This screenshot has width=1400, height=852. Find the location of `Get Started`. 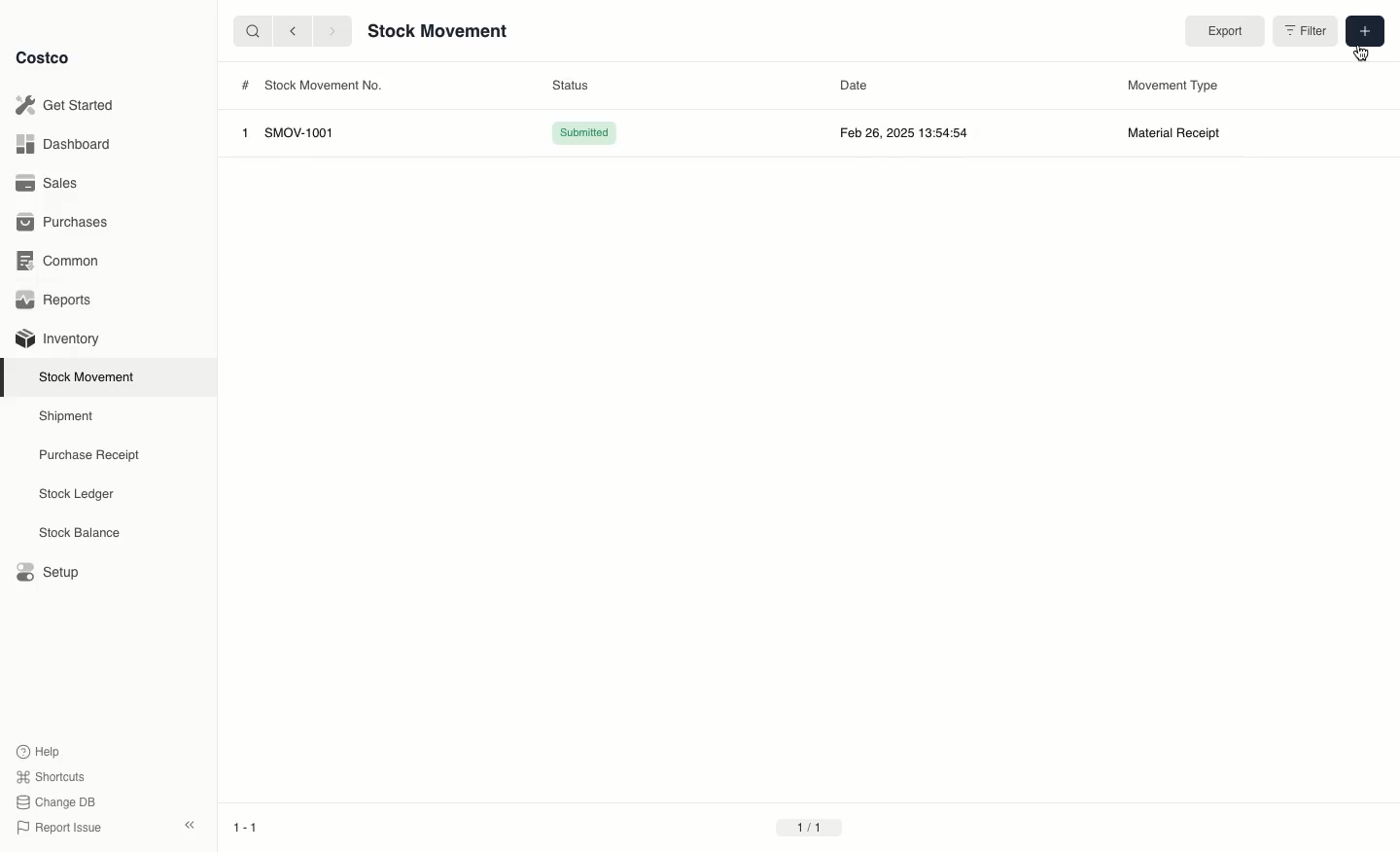

Get Started is located at coordinates (69, 104).